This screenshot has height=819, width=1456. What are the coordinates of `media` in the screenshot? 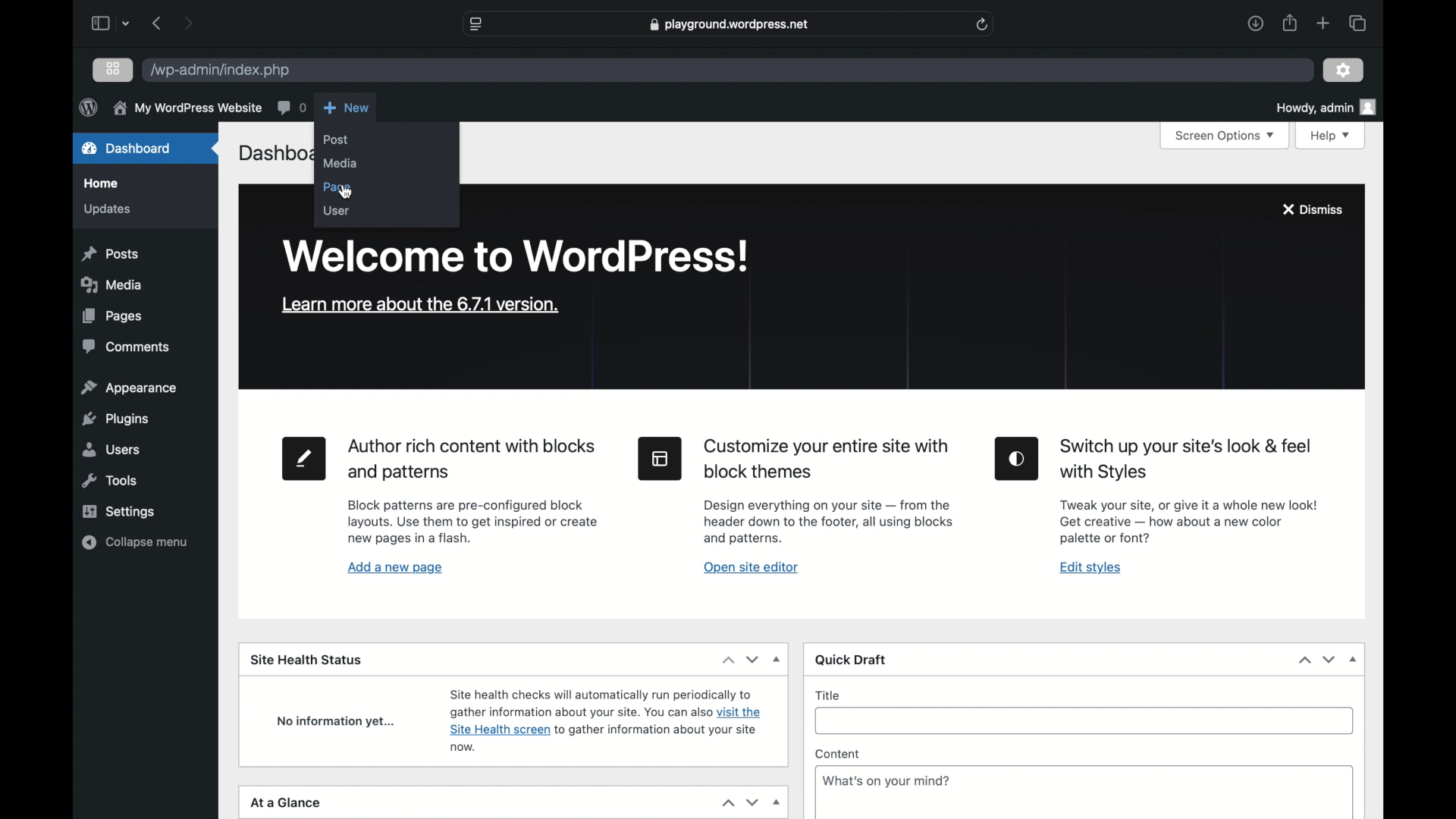 It's located at (111, 285).